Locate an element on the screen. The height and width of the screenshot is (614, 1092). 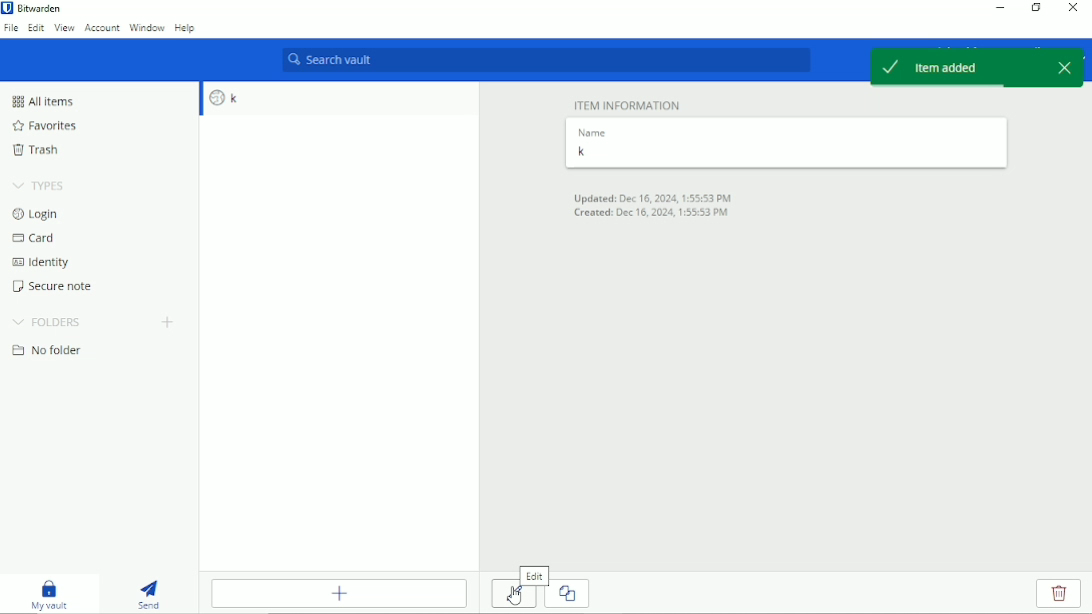
Trash is located at coordinates (38, 149).